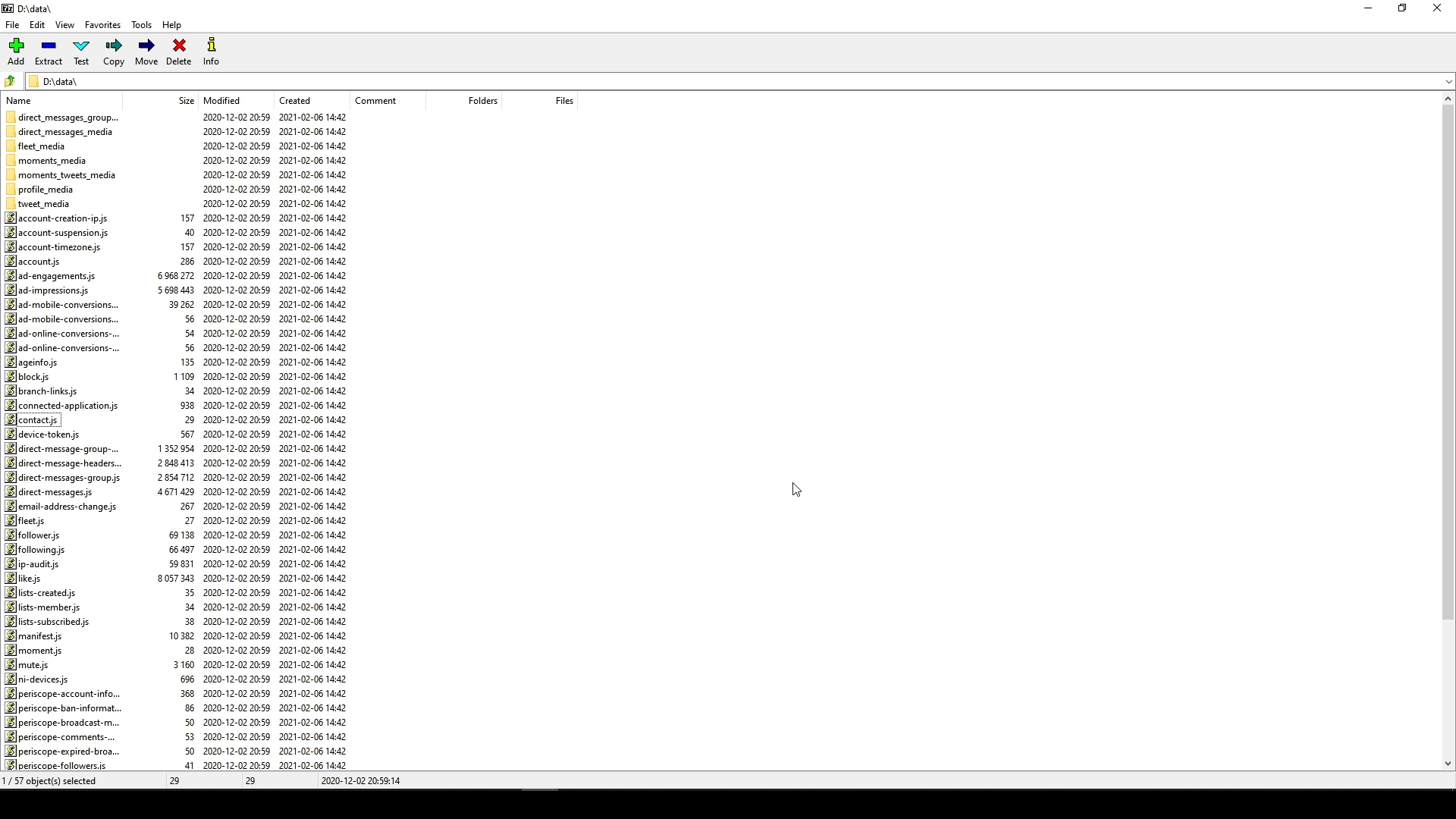 The height and width of the screenshot is (819, 1456). Describe the element at coordinates (54, 246) in the screenshot. I see `account-timezone.js` at that location.